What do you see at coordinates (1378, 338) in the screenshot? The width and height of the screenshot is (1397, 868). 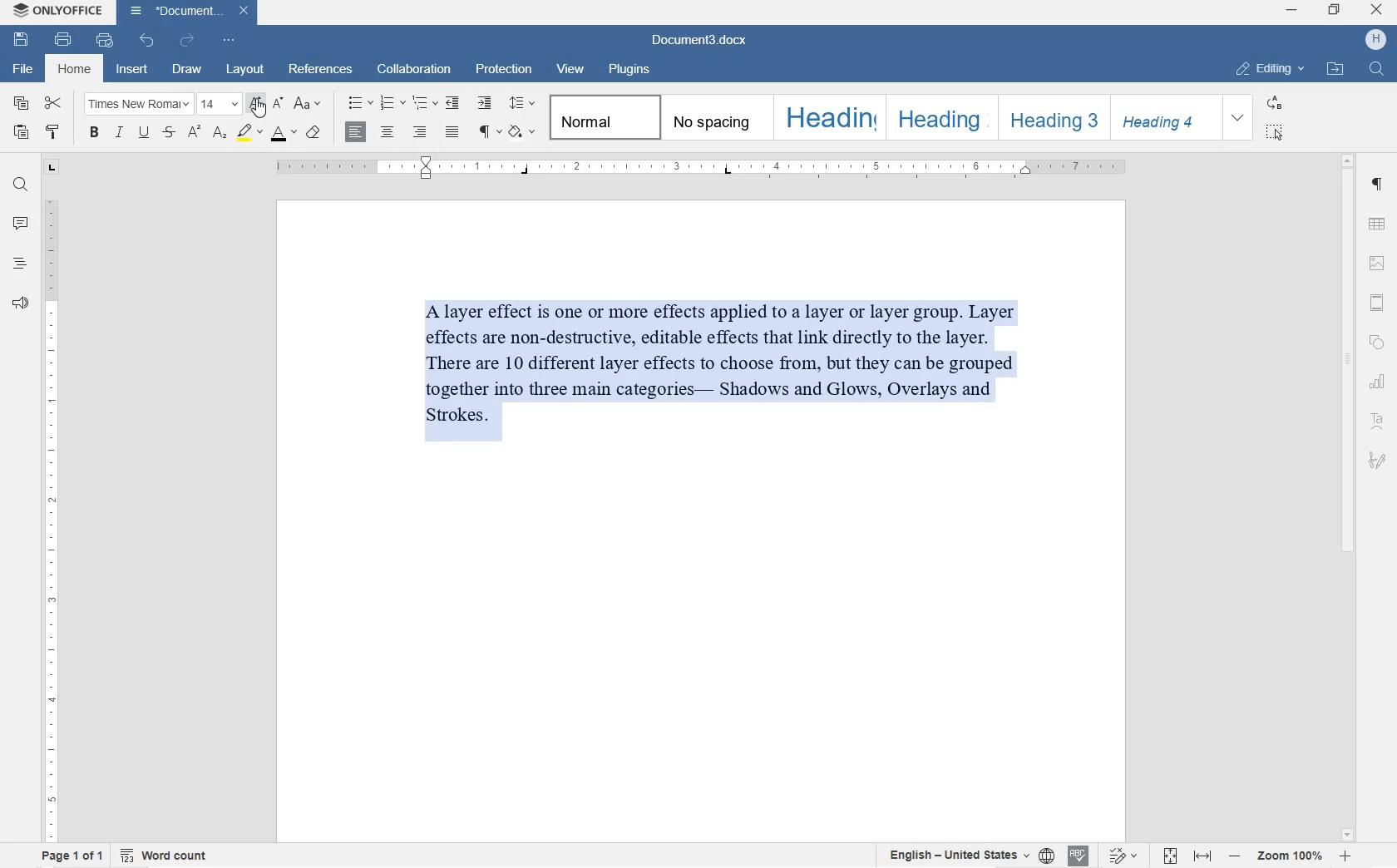 I see `SHAPE` at bounding box center [1378, 338].